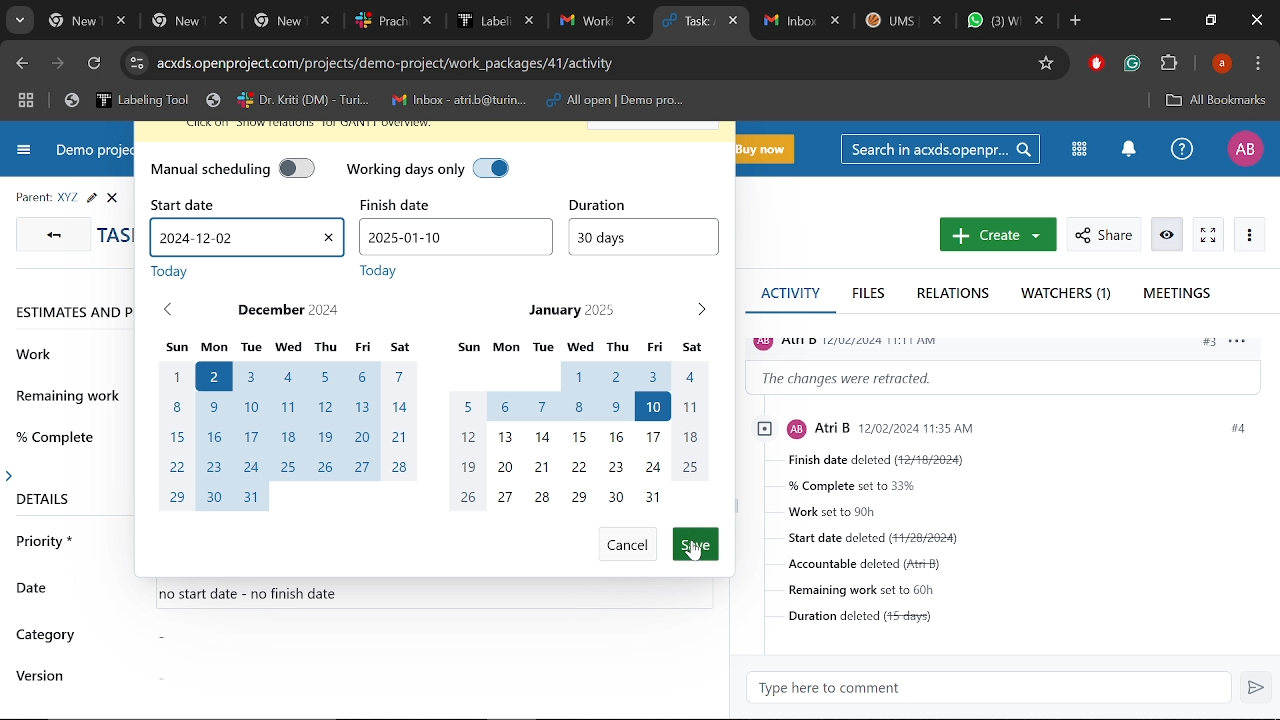  Describe the element at coordinates (1096, 63) in the screenshot. I see `Addblock` at that location.